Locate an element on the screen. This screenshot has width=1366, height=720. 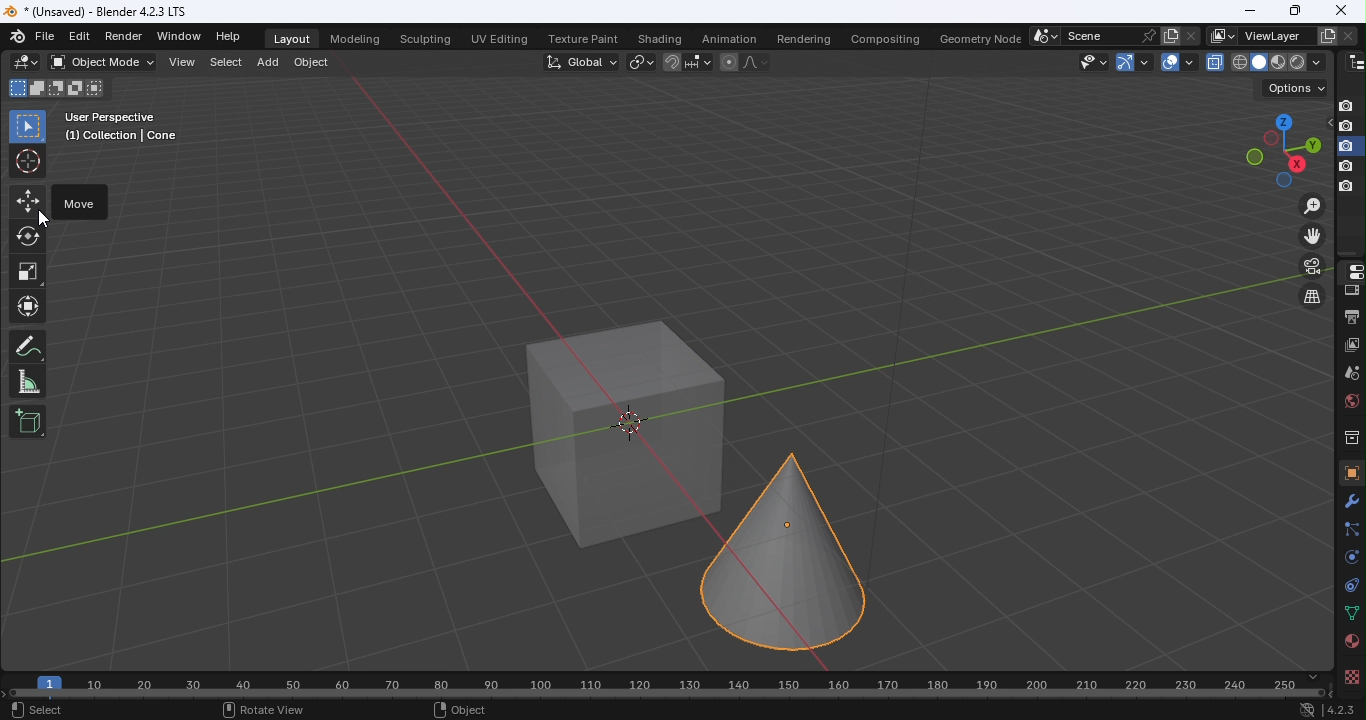
Object is located at coordinates (310, 65).